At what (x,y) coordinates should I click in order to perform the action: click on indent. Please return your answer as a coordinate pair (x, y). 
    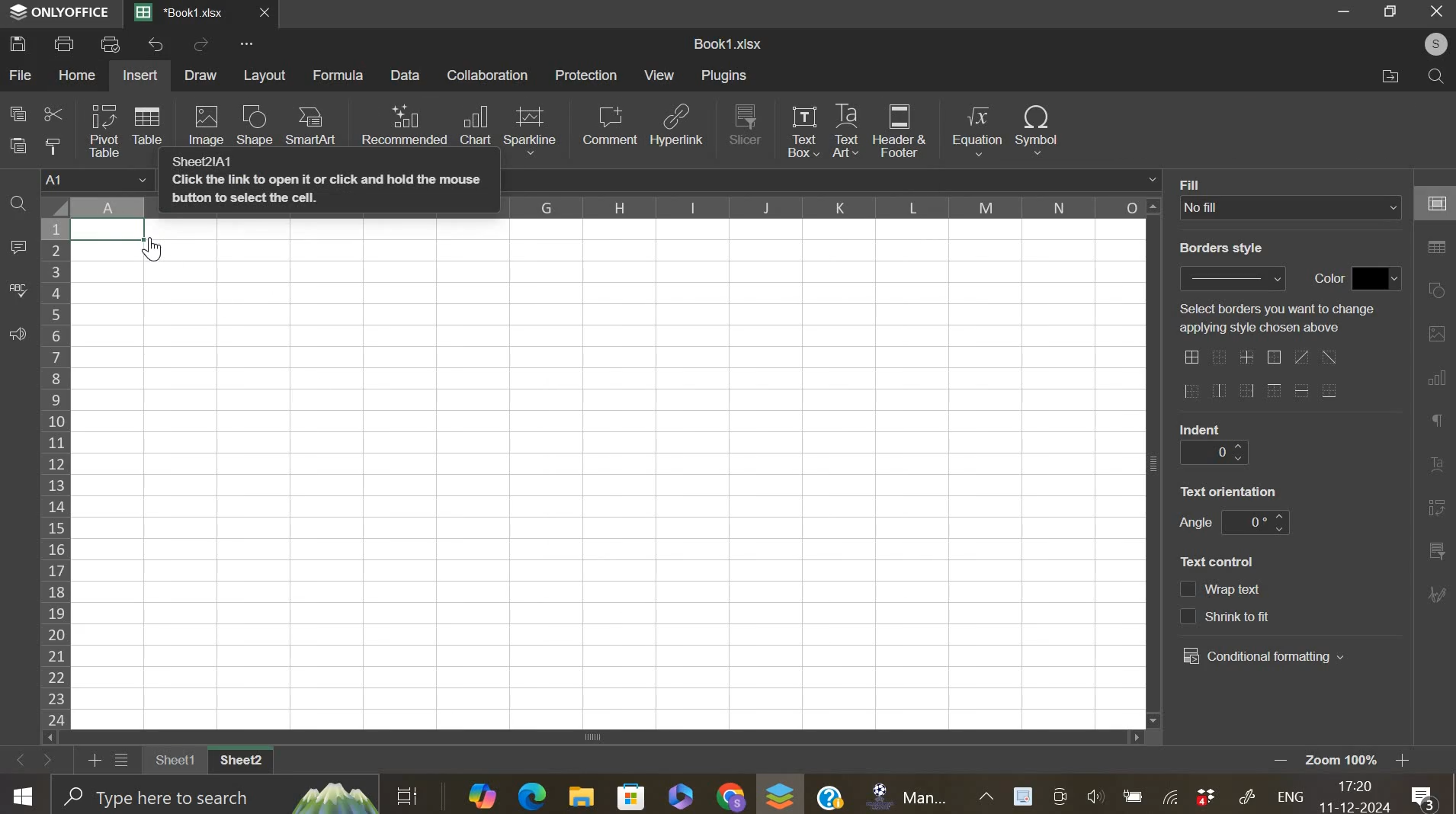
    Looking at the image, I should click on (1213, 453).